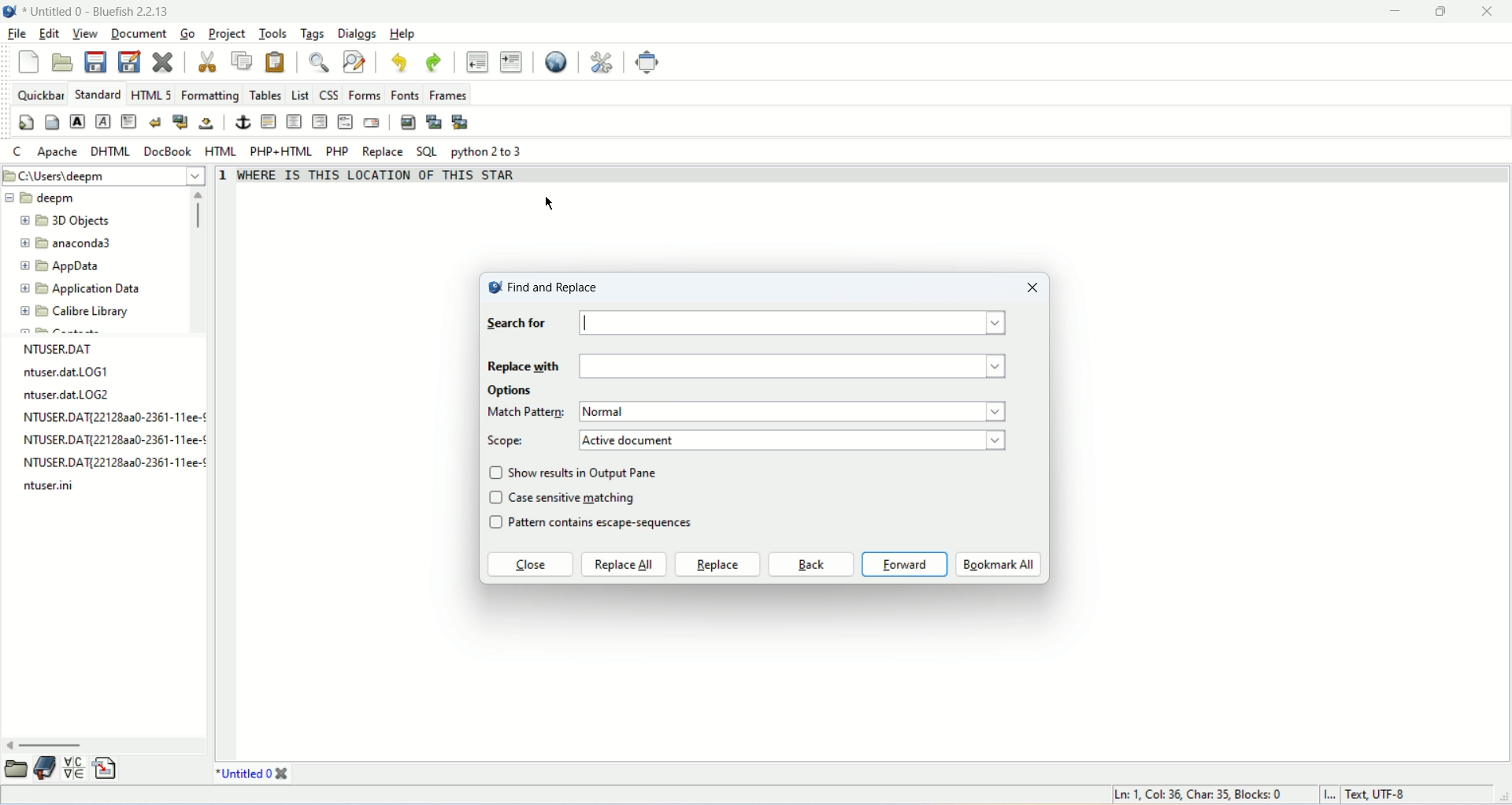  I want to click on edit, so click(48, 35).